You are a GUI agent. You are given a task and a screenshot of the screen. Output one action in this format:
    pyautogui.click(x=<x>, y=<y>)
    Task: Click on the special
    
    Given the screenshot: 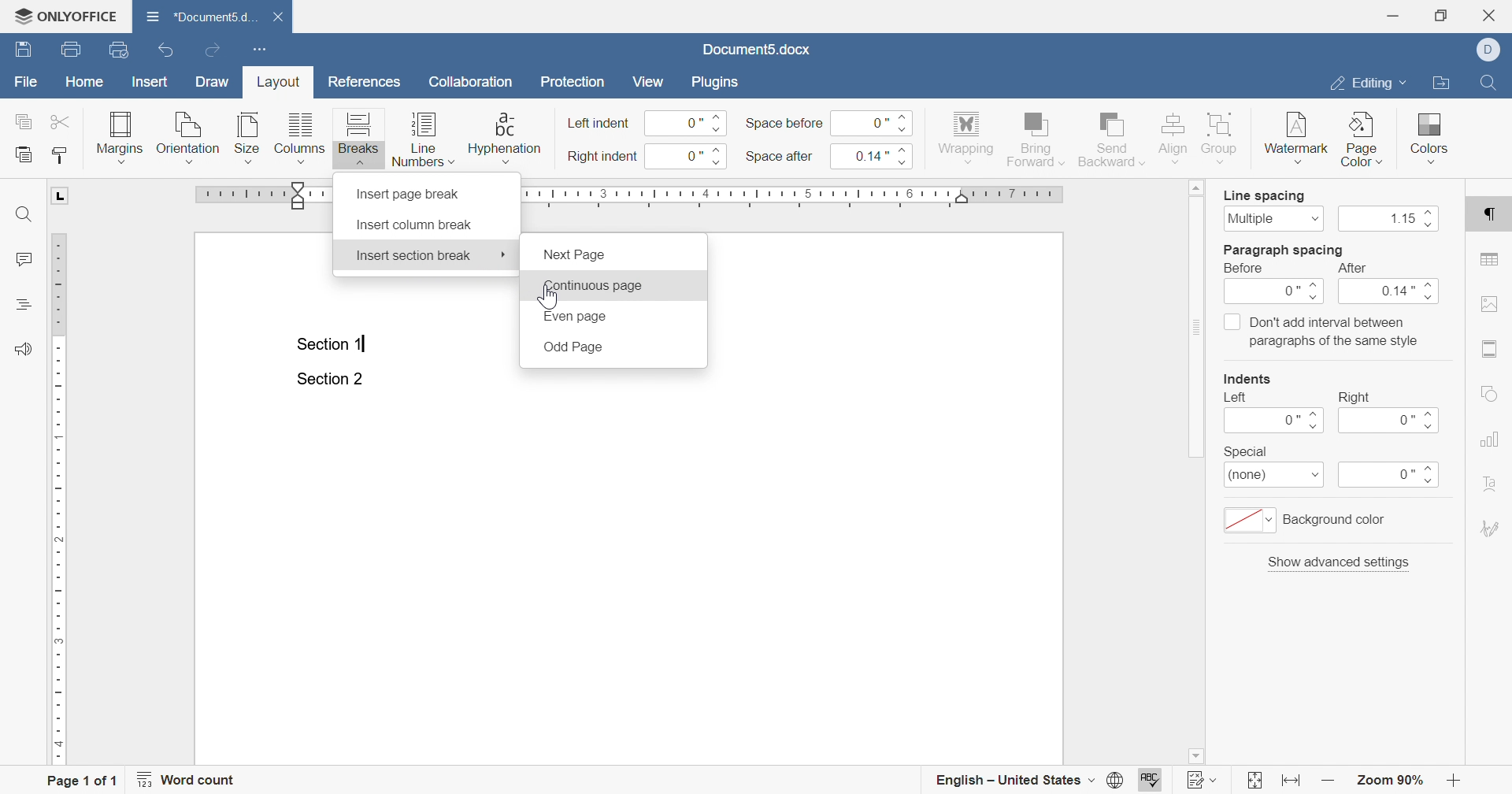 What is the action you would take?
    pyautogui.click(x=1245, y=451)
    